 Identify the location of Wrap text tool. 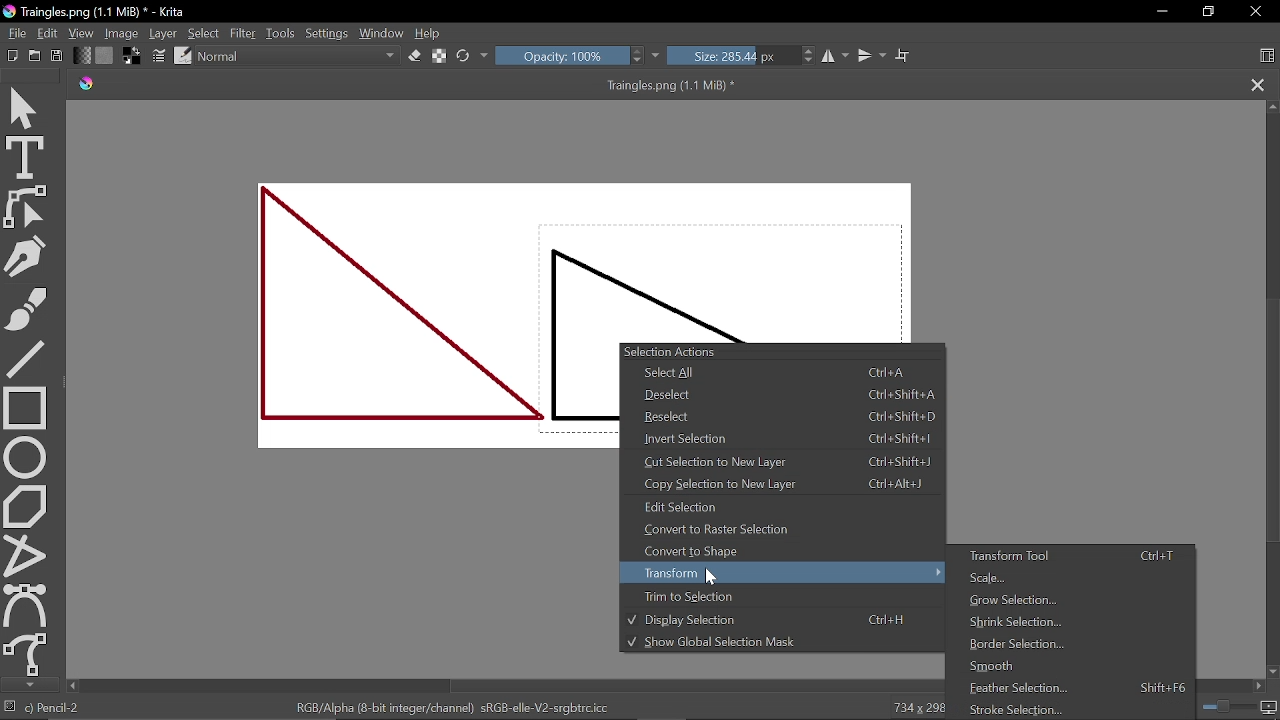
(902, 55).